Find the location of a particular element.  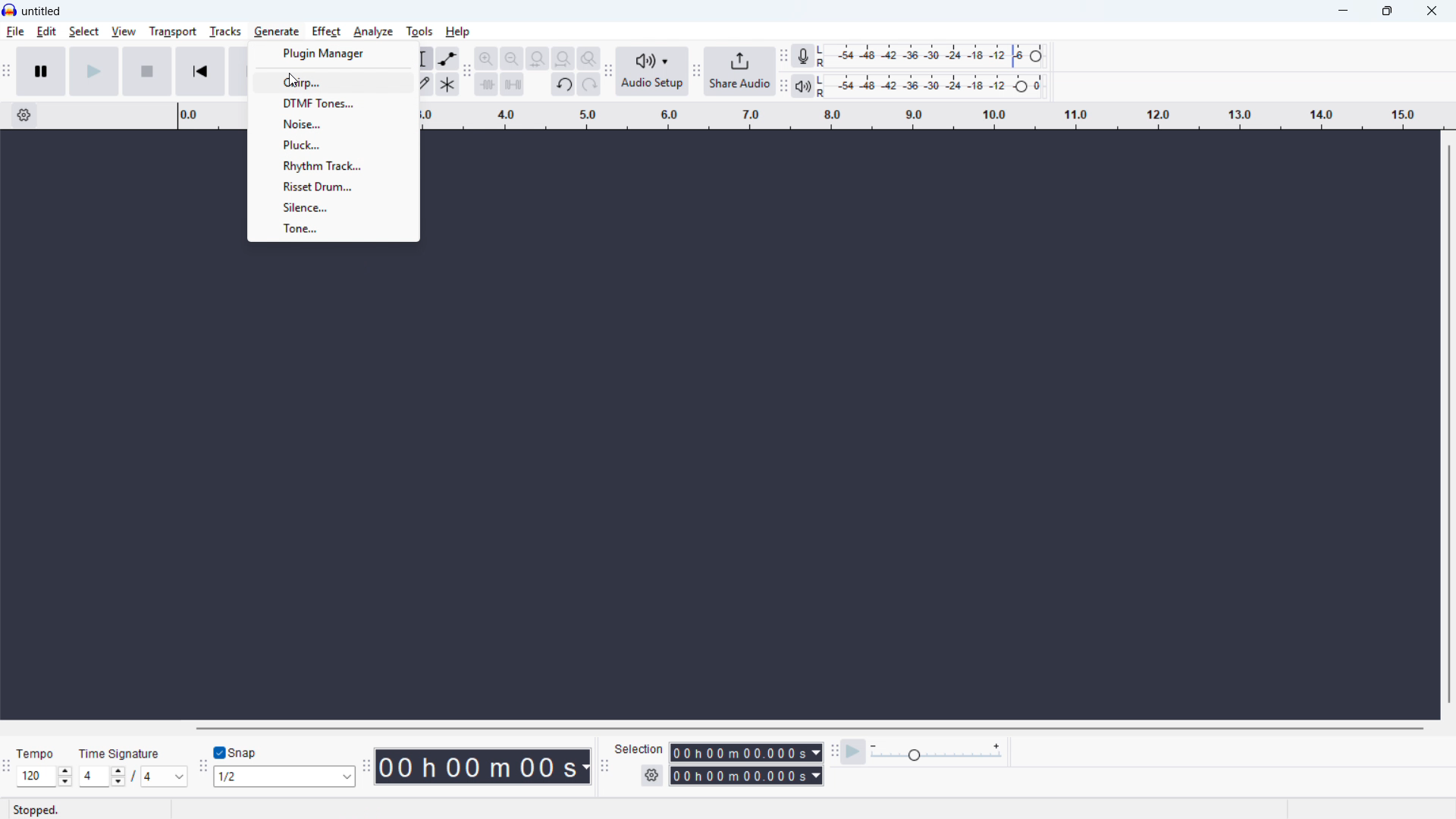

Timeline settings  is located at coordinates (24, 115).